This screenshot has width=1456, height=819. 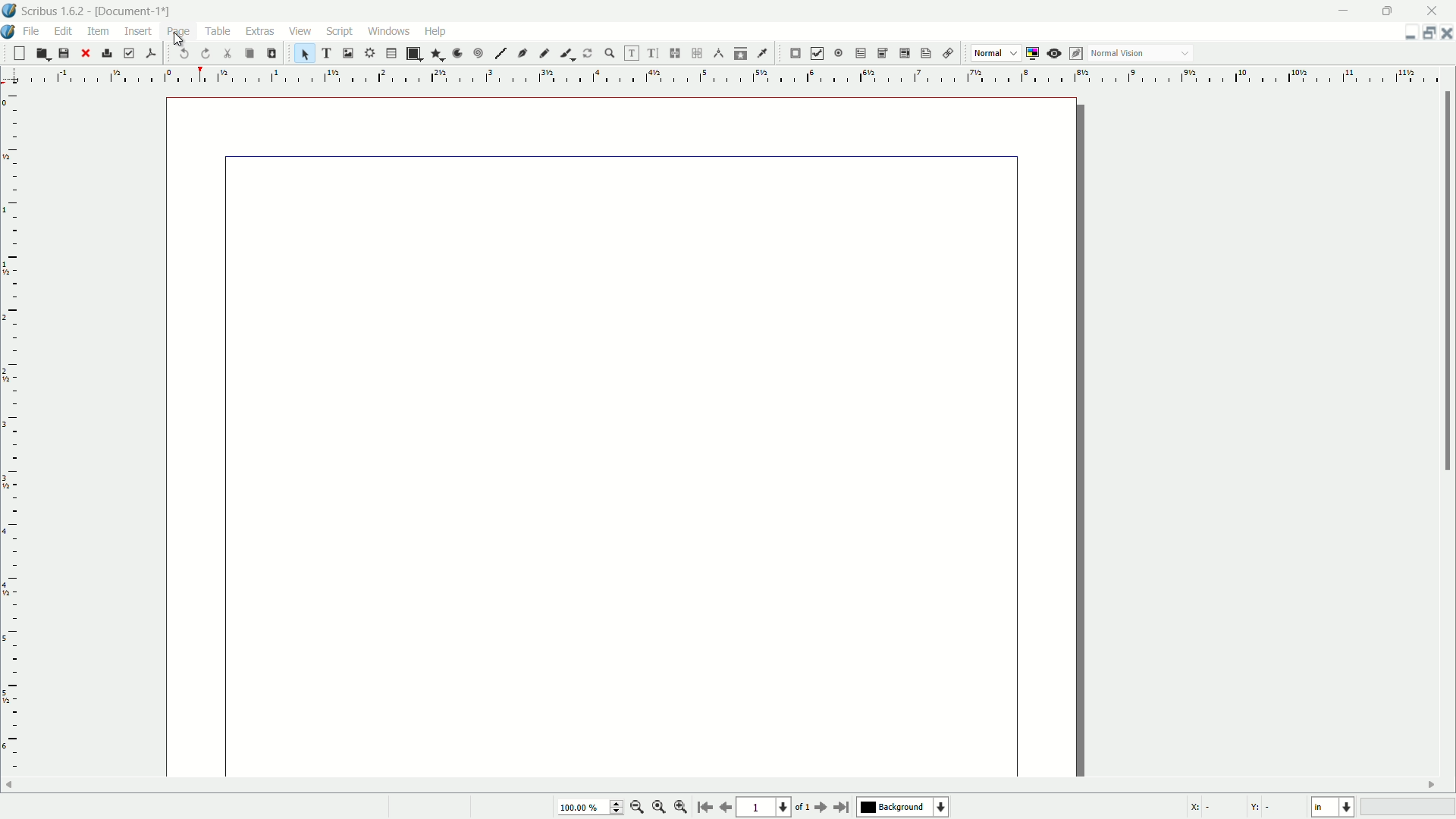 What do you see at coordinates (588, 808) in the screenshot?
I see `current zoom percentage` at bounding box center [588, 808].